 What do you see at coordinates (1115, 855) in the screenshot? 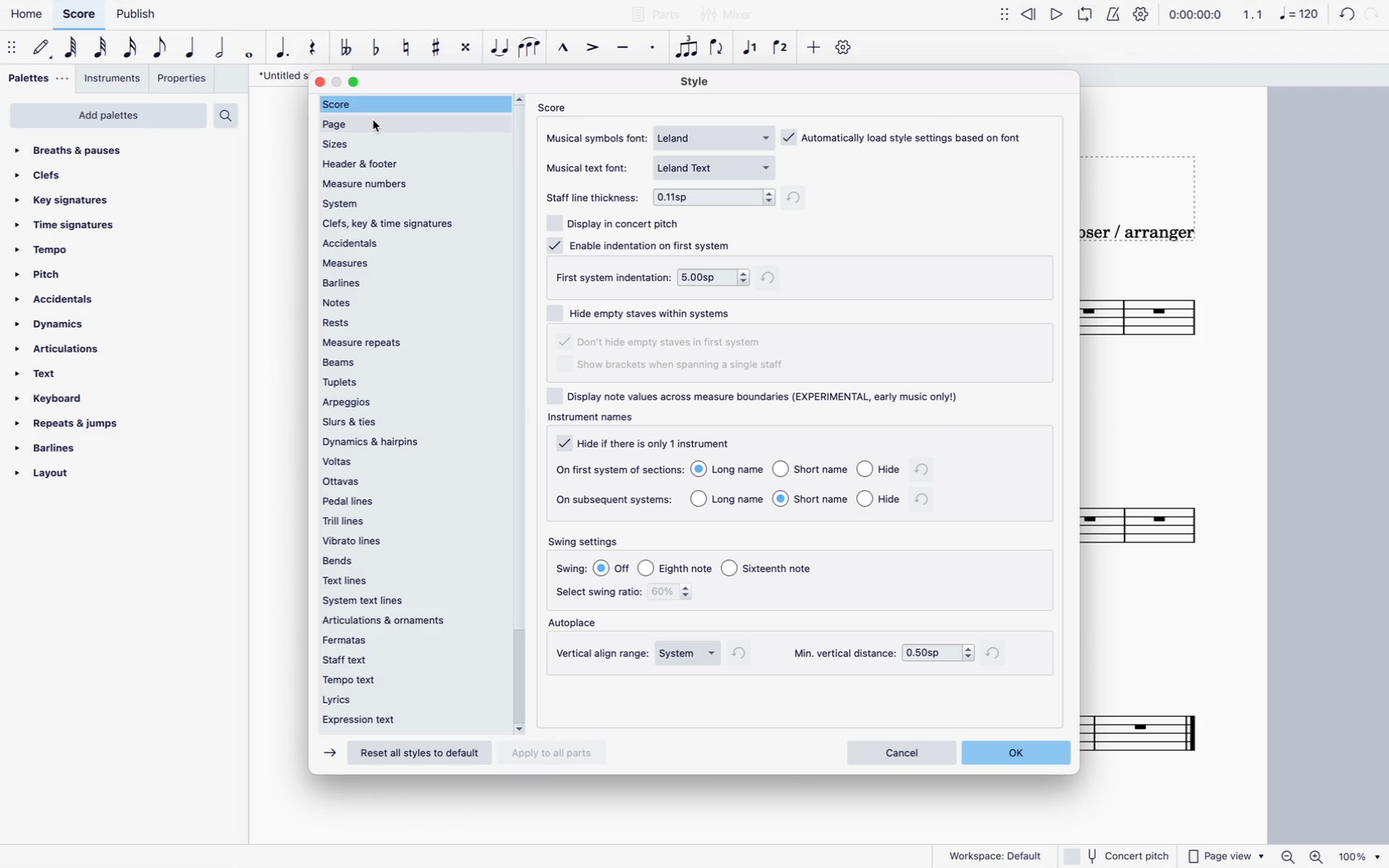
I see `concert pitch` at bounding box center [1115, 855].